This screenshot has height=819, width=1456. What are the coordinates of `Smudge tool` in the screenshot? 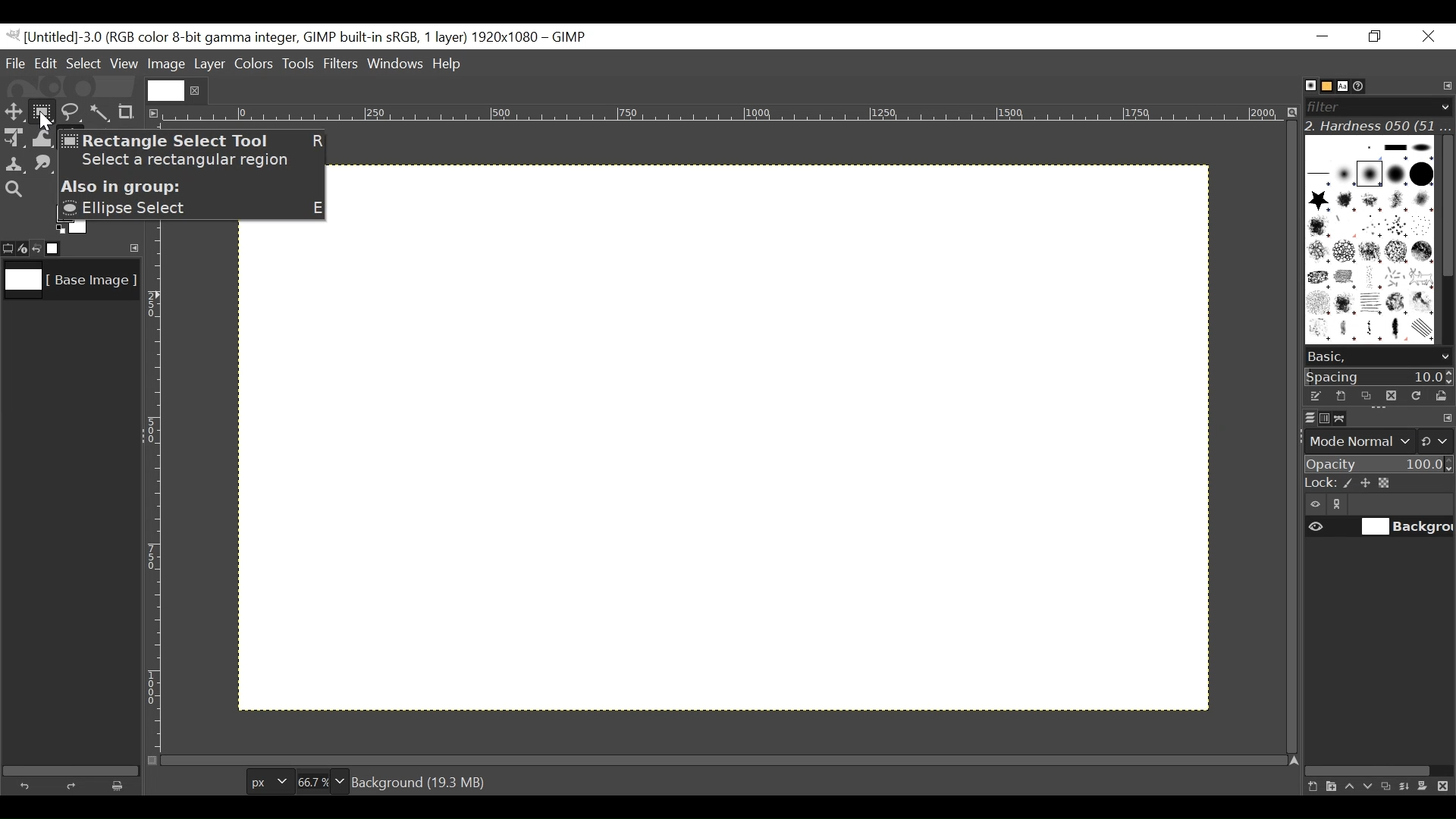 It's located at (45, 165).